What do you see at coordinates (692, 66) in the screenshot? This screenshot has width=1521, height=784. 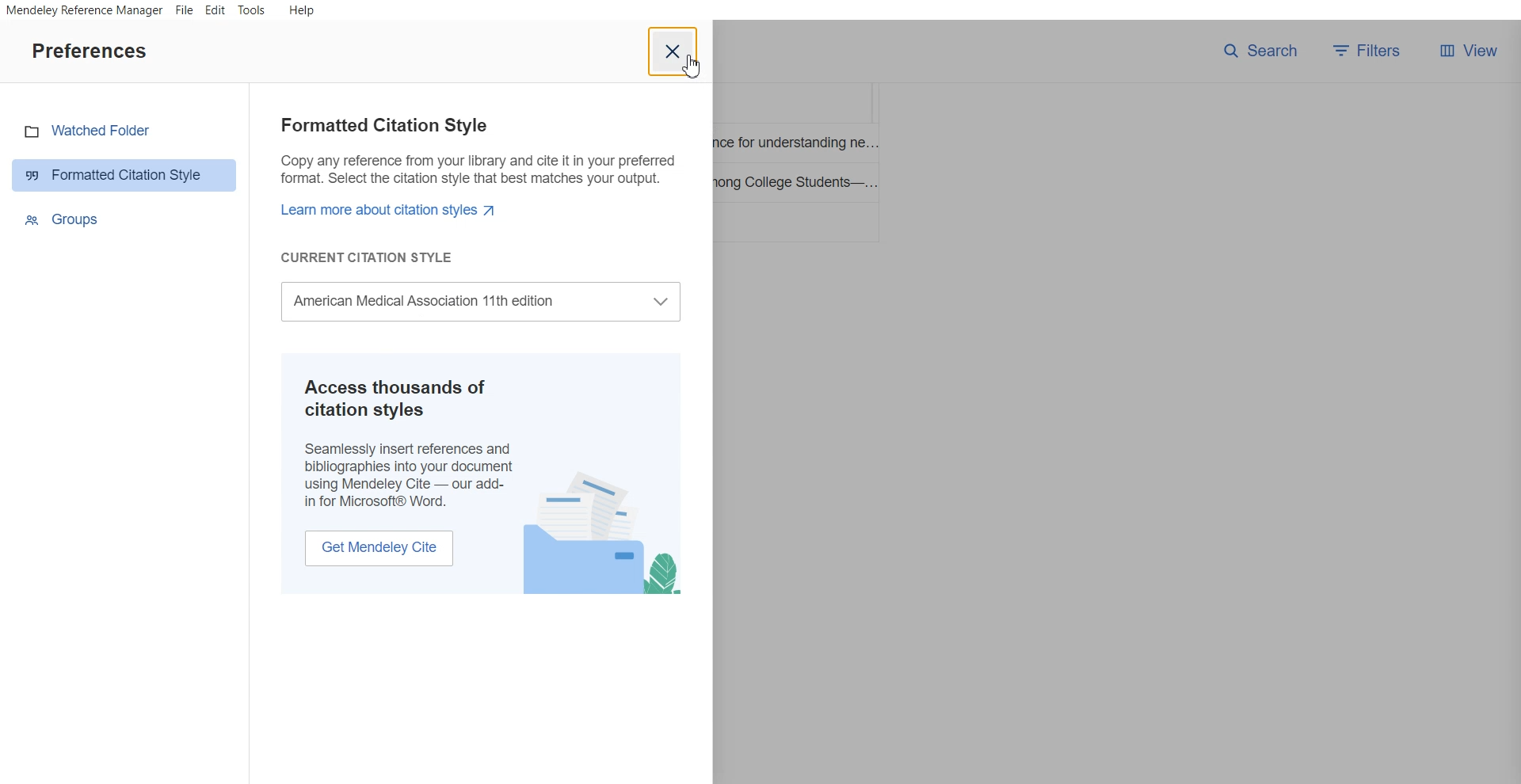 I see `Cursor` at bounding box center [692, 66].